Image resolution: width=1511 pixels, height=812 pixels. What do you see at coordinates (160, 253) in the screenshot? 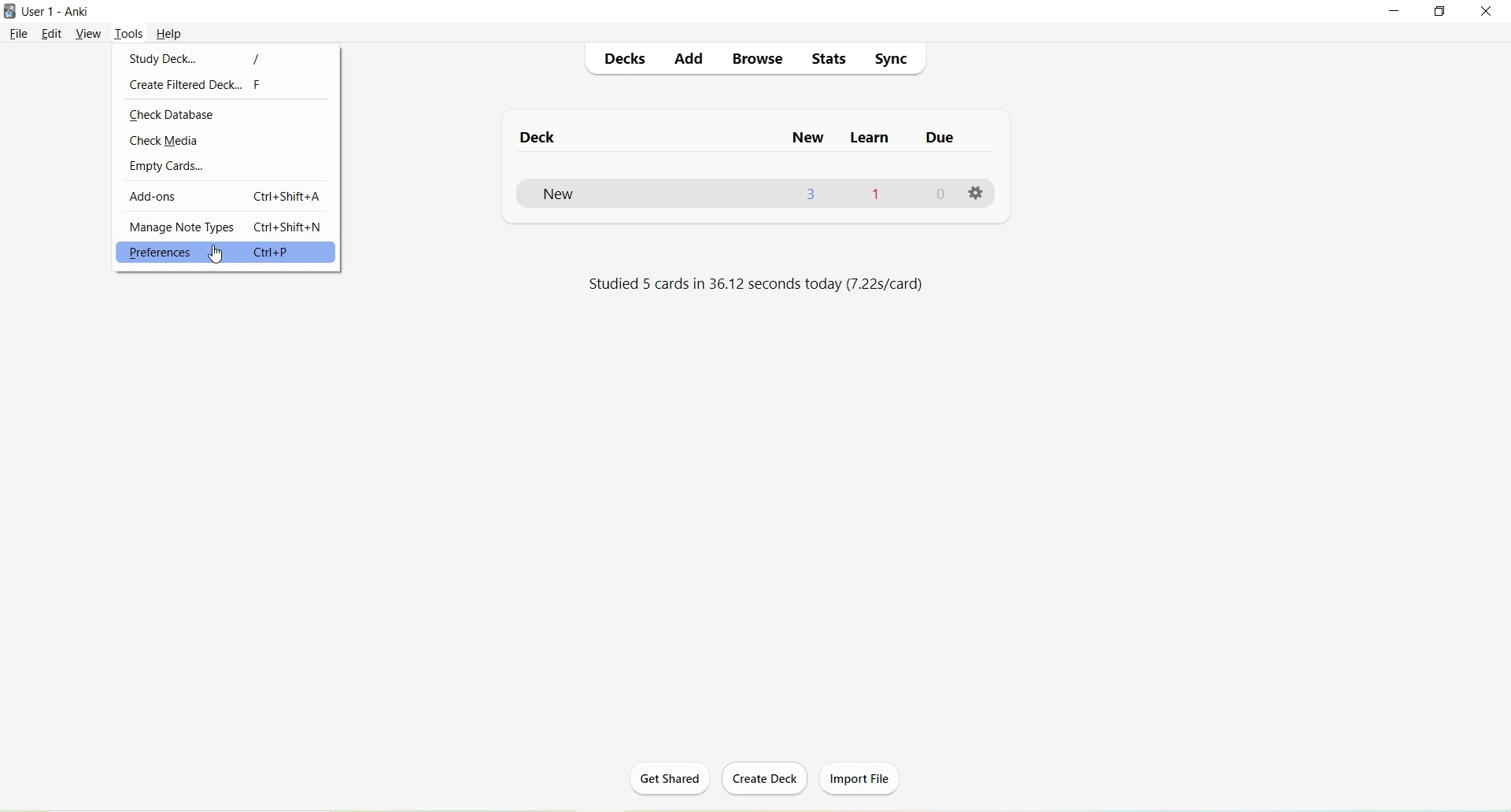
I see `Preferences` at bounding box center [160, 253].